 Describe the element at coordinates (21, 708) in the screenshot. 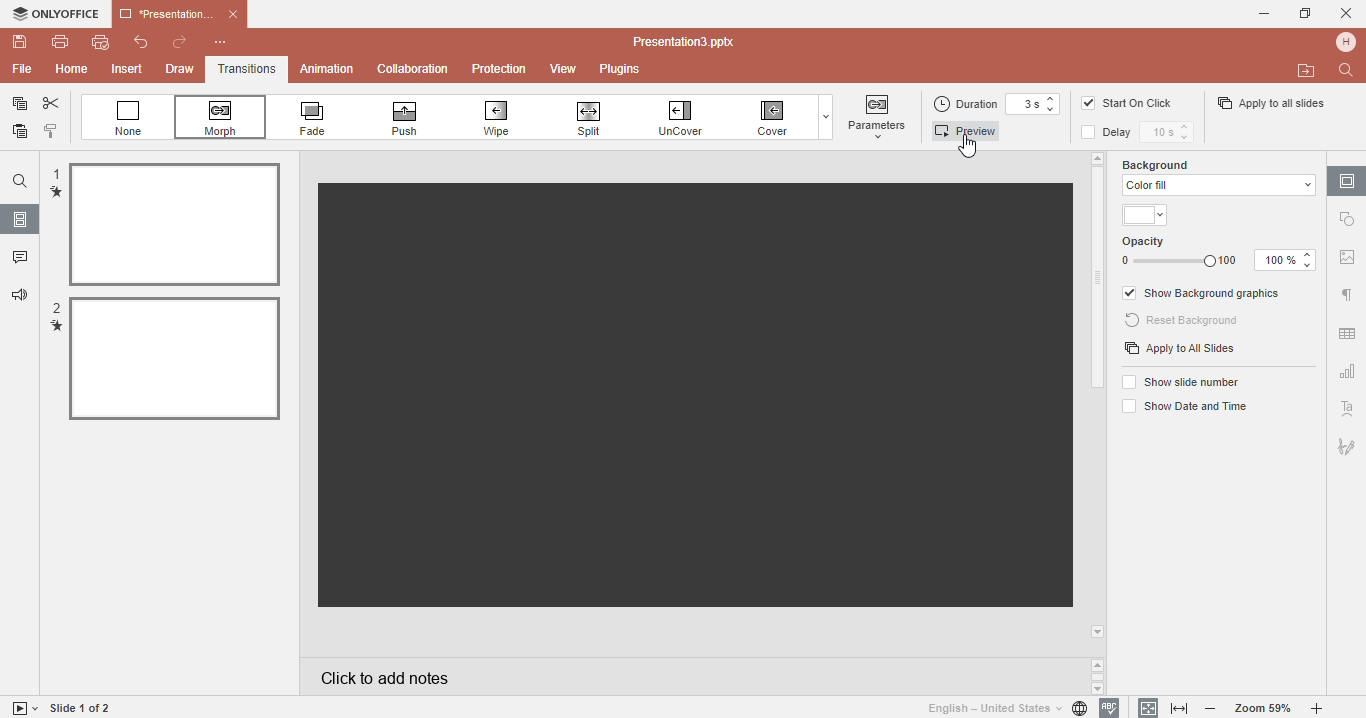

I see `Start slide show` at that location.